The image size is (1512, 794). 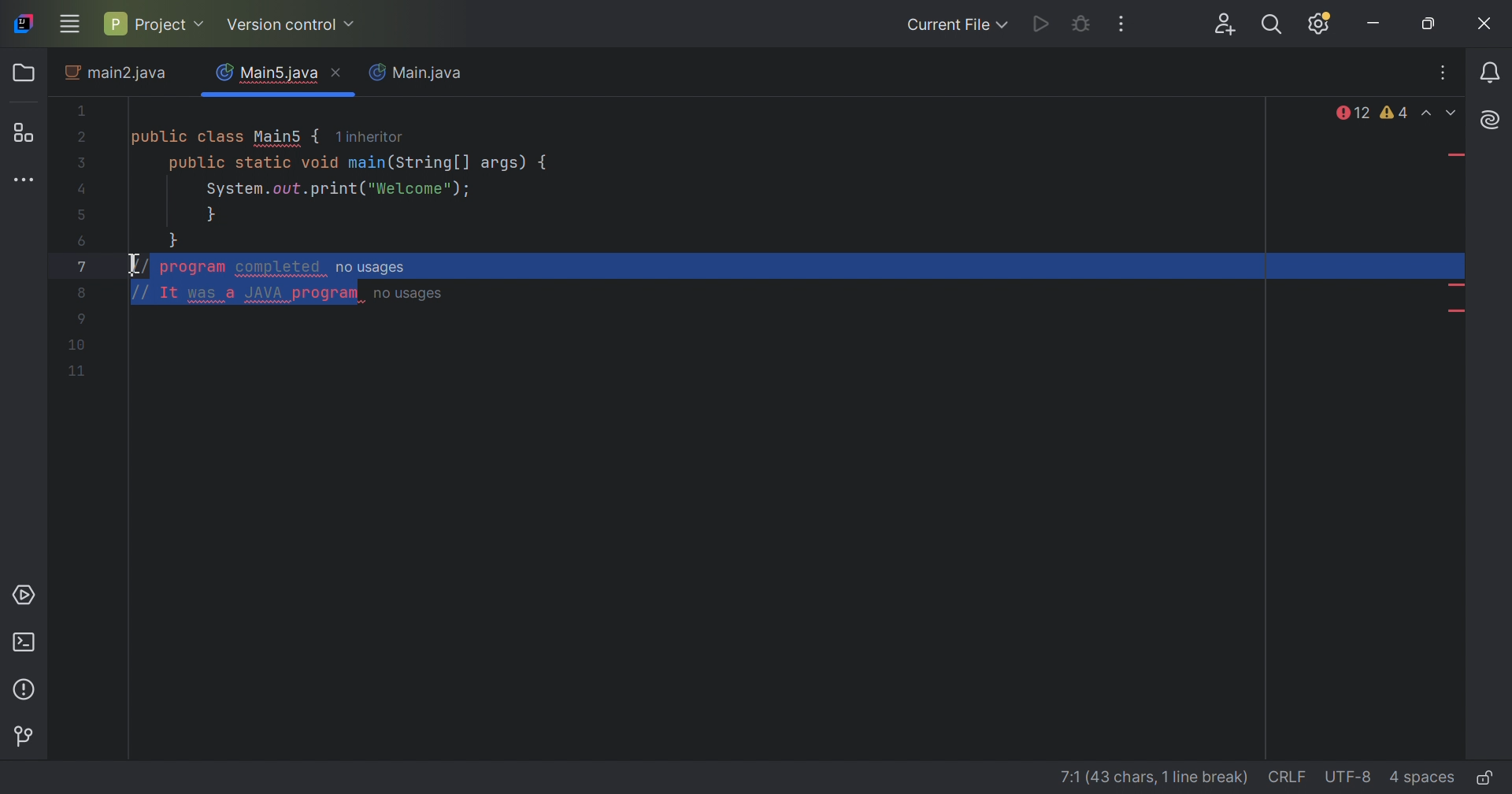 What do you see at coordinates (1489, 777) in the screenshot?
I see `Edit or read-only` at bounding box center [1489, 777].